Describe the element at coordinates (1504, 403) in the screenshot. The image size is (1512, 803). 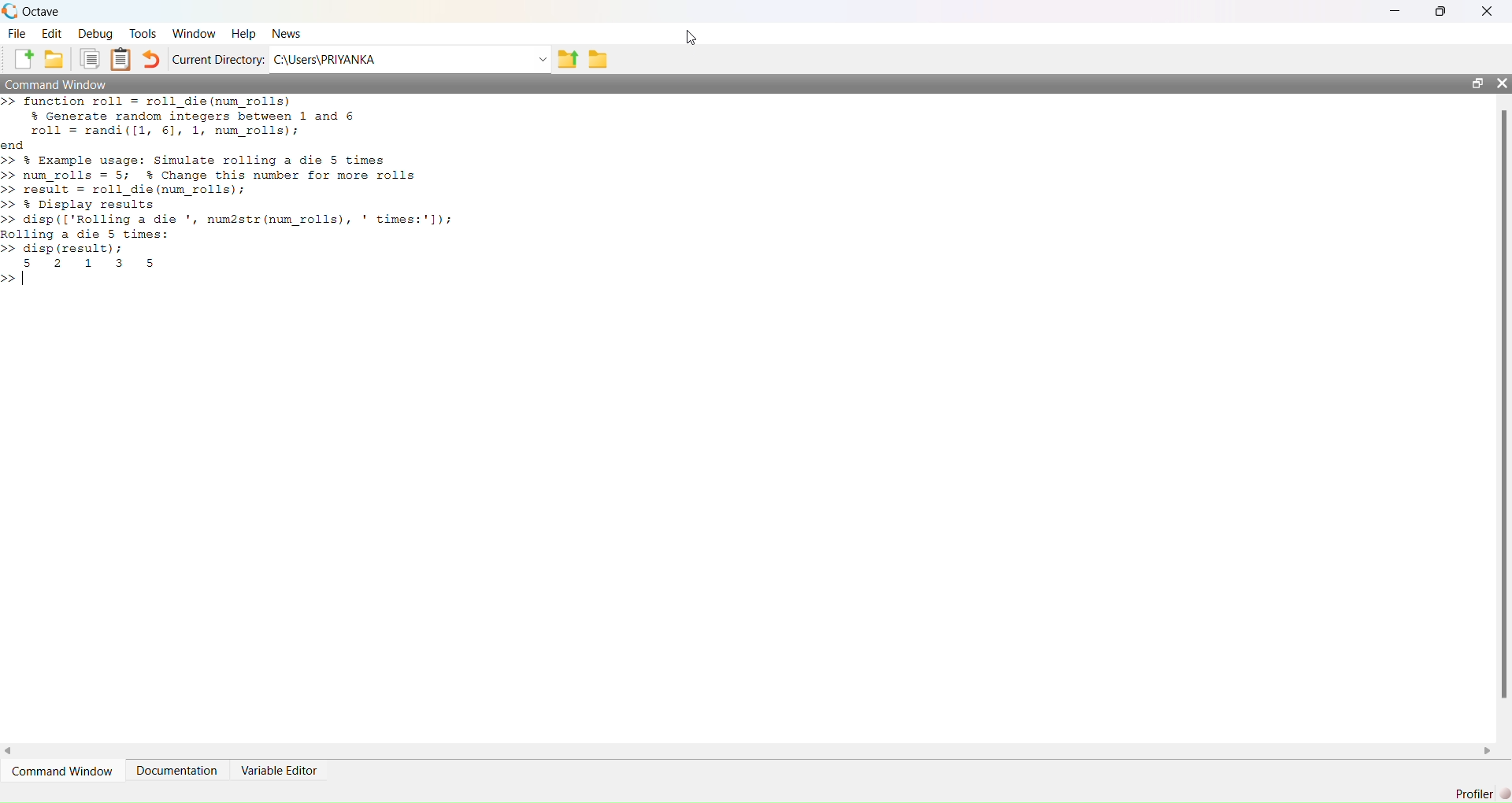
I see `scrollbar` at that location.